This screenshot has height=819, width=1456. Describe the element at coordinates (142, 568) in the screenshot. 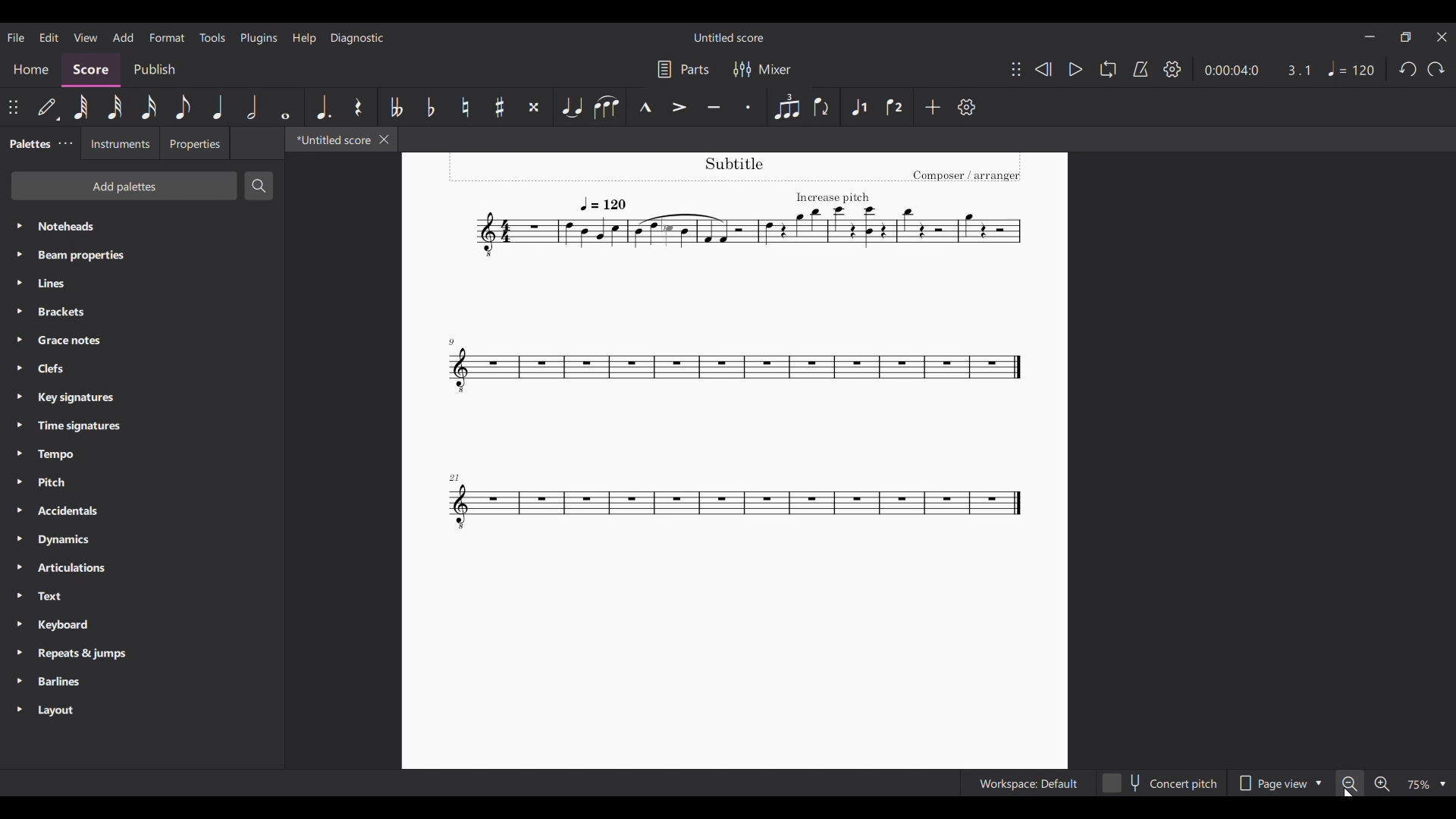

I see `Articulations` at that location.